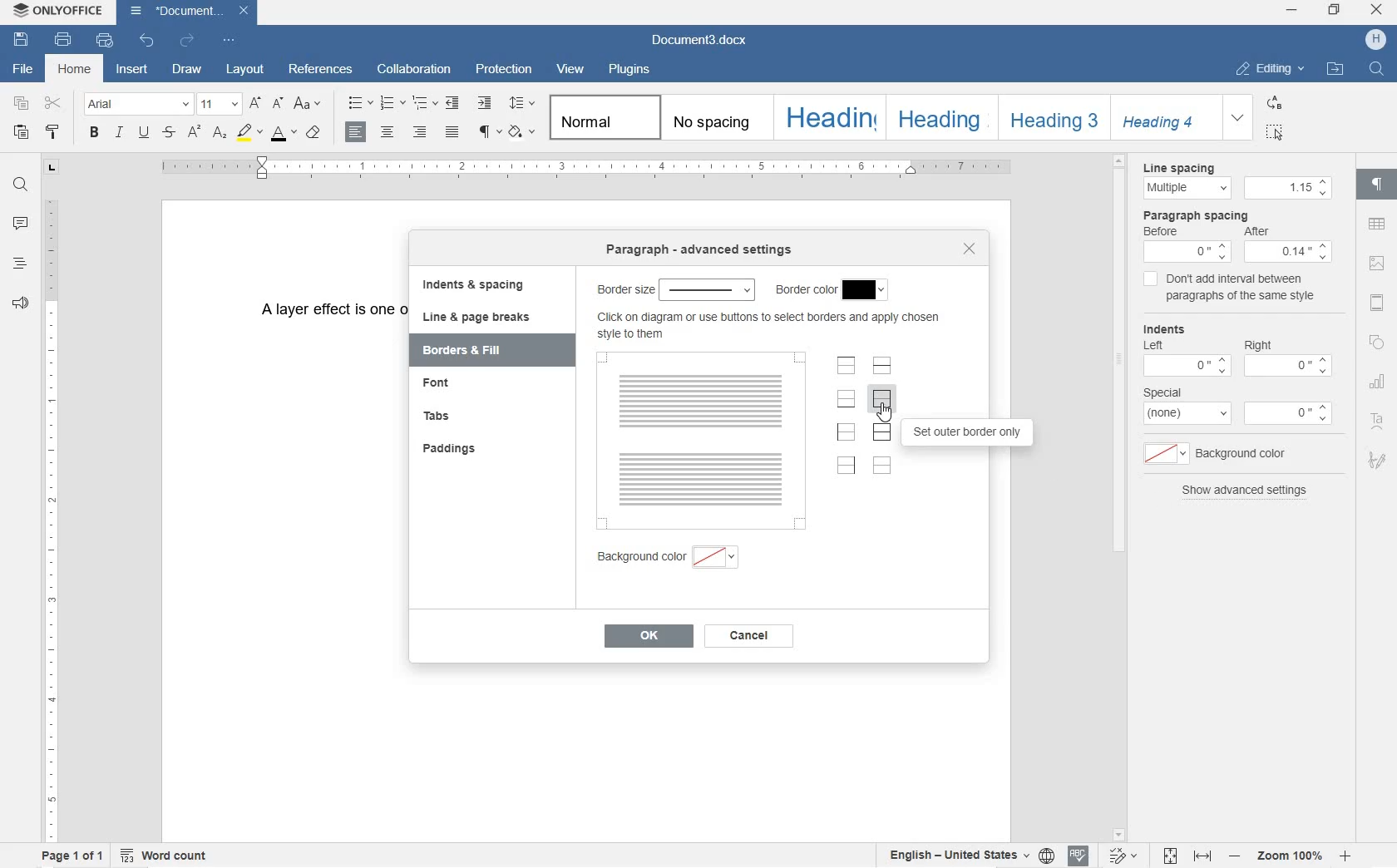 The height and width of the screenshot is (868, 1397). I want to click on close, so click(970, 250).